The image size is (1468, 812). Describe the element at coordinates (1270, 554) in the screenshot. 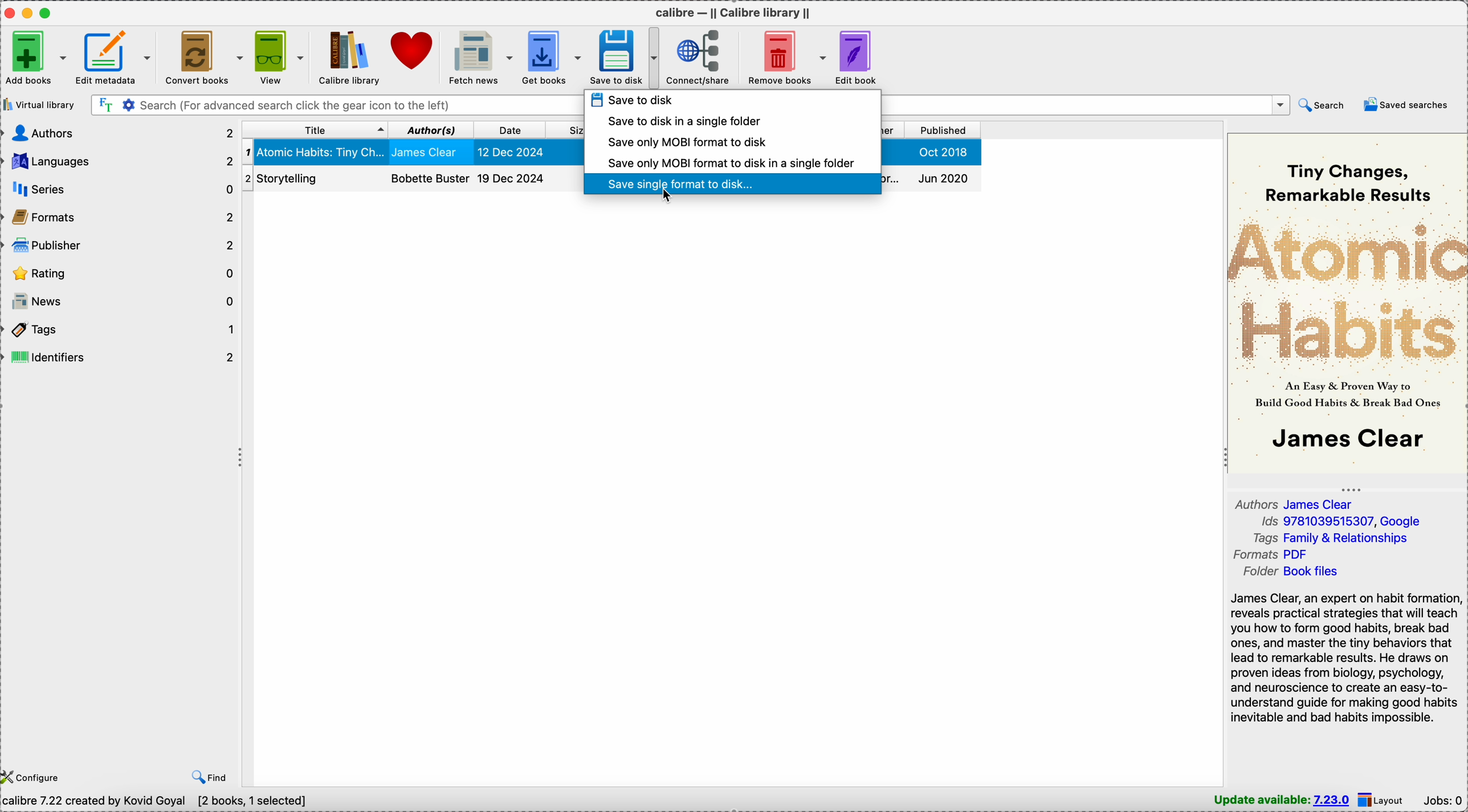

I see `formats PDF` at that location.